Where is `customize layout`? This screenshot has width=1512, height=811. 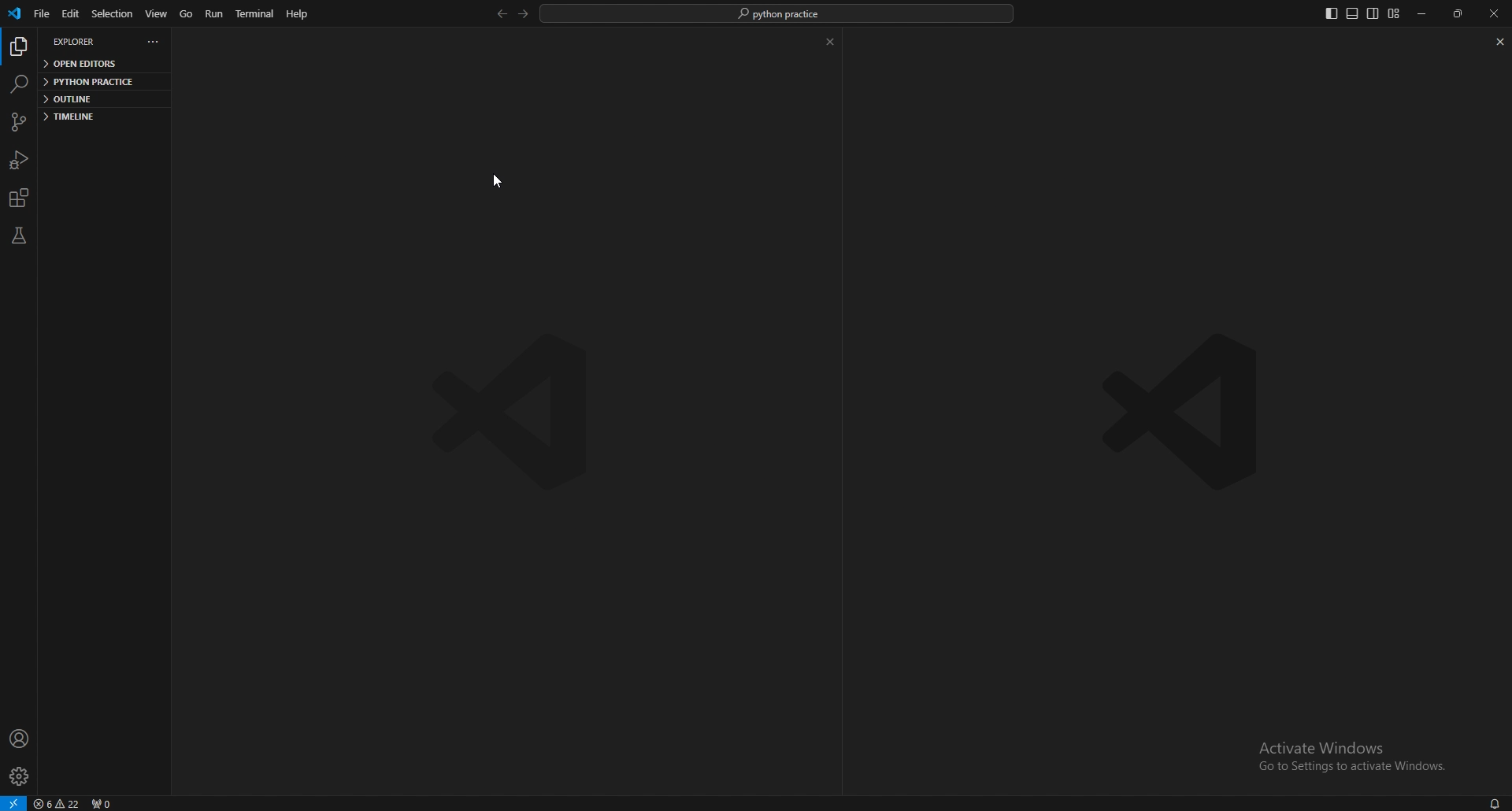 customize layout is located at coordinates (1394, 13).